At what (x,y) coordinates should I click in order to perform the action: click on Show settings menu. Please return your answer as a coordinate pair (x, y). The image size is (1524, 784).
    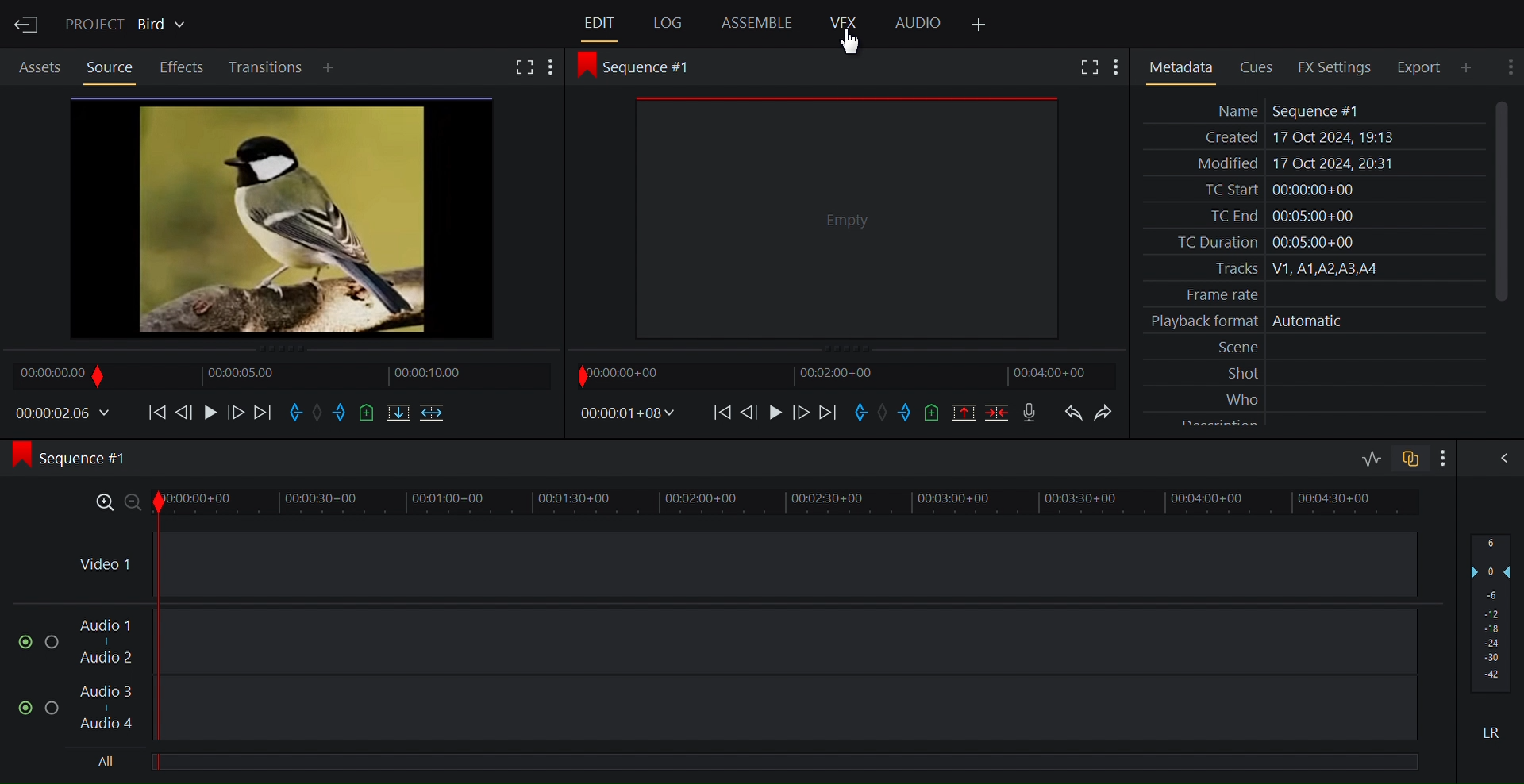
    Looking at the image, I should click on (1512, 63).